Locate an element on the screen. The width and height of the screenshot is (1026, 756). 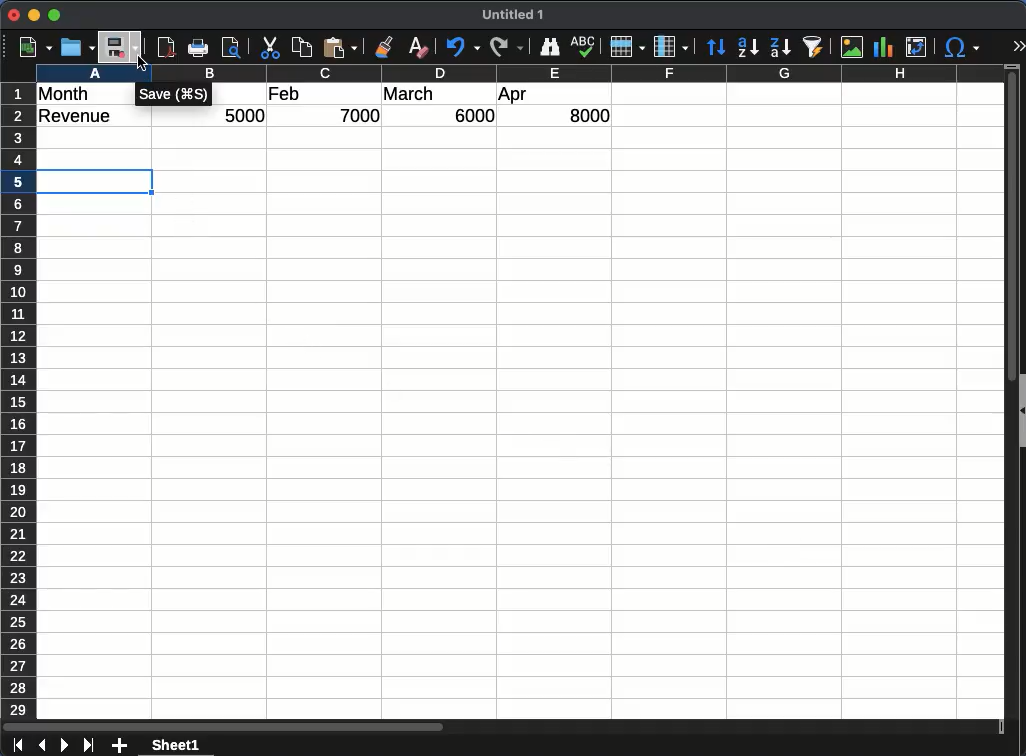
save is located at coordinates (121, 48).